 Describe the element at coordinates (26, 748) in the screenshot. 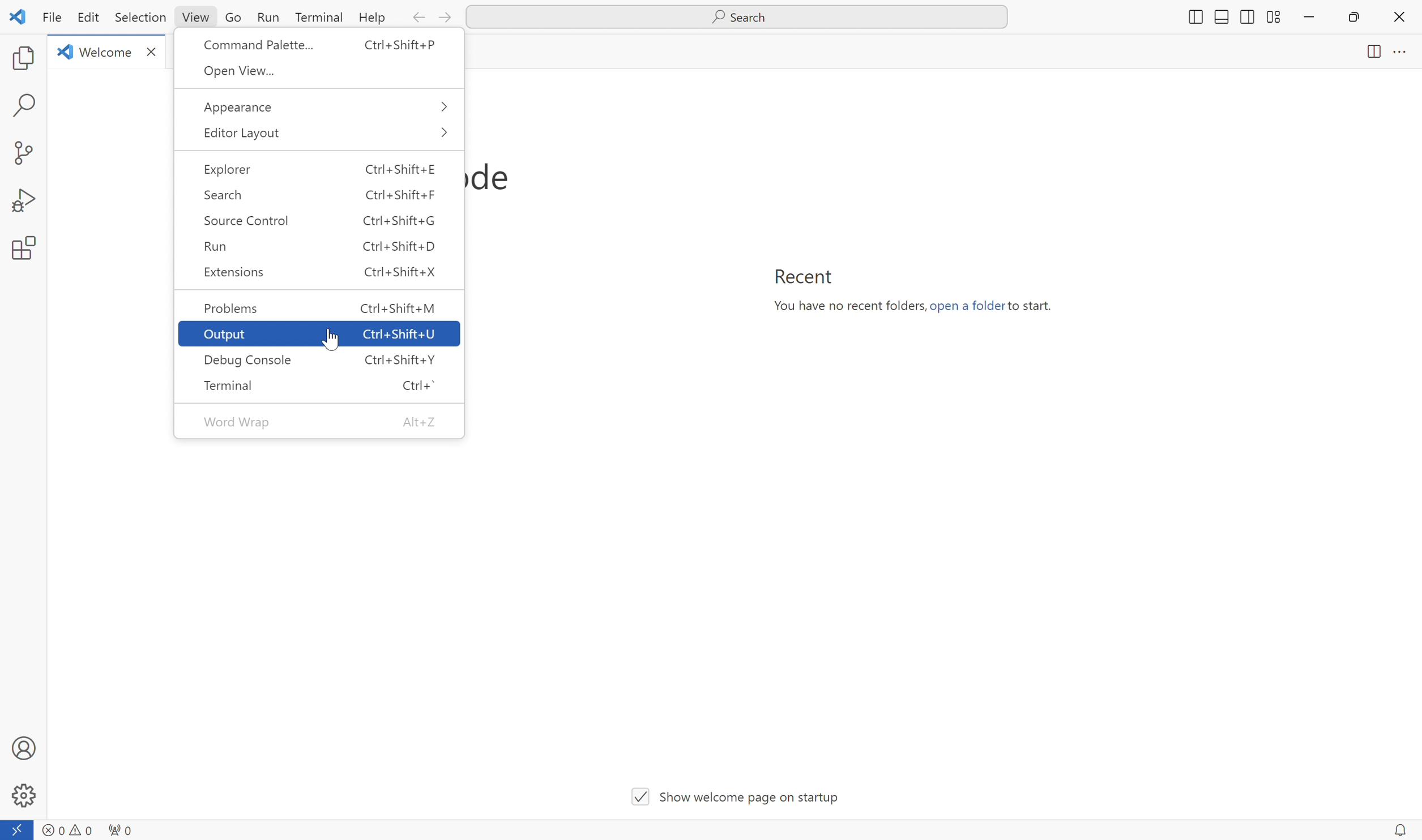

I see `accounts` at that location.